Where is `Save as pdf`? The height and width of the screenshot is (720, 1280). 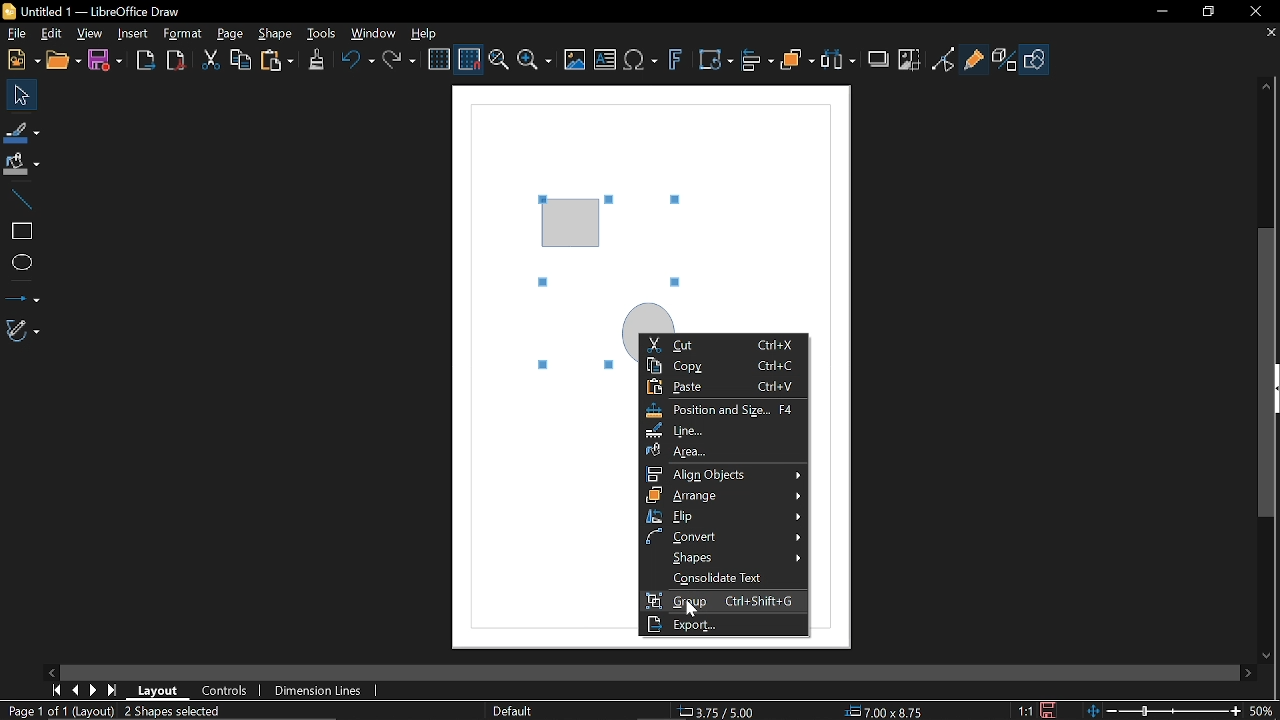
Save as pdf is located at coordinates (175, 60).